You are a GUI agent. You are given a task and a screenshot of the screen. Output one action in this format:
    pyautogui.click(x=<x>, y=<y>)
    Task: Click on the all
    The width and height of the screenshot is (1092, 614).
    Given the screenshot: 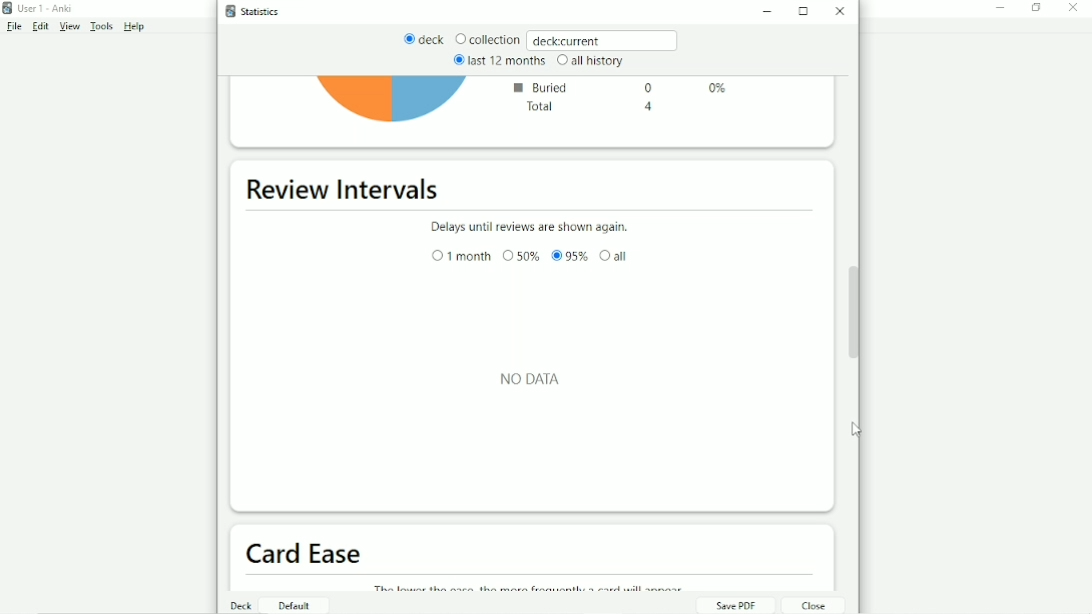 What is the action you would take?
    pyautogui.click(x=615, y=255)
    